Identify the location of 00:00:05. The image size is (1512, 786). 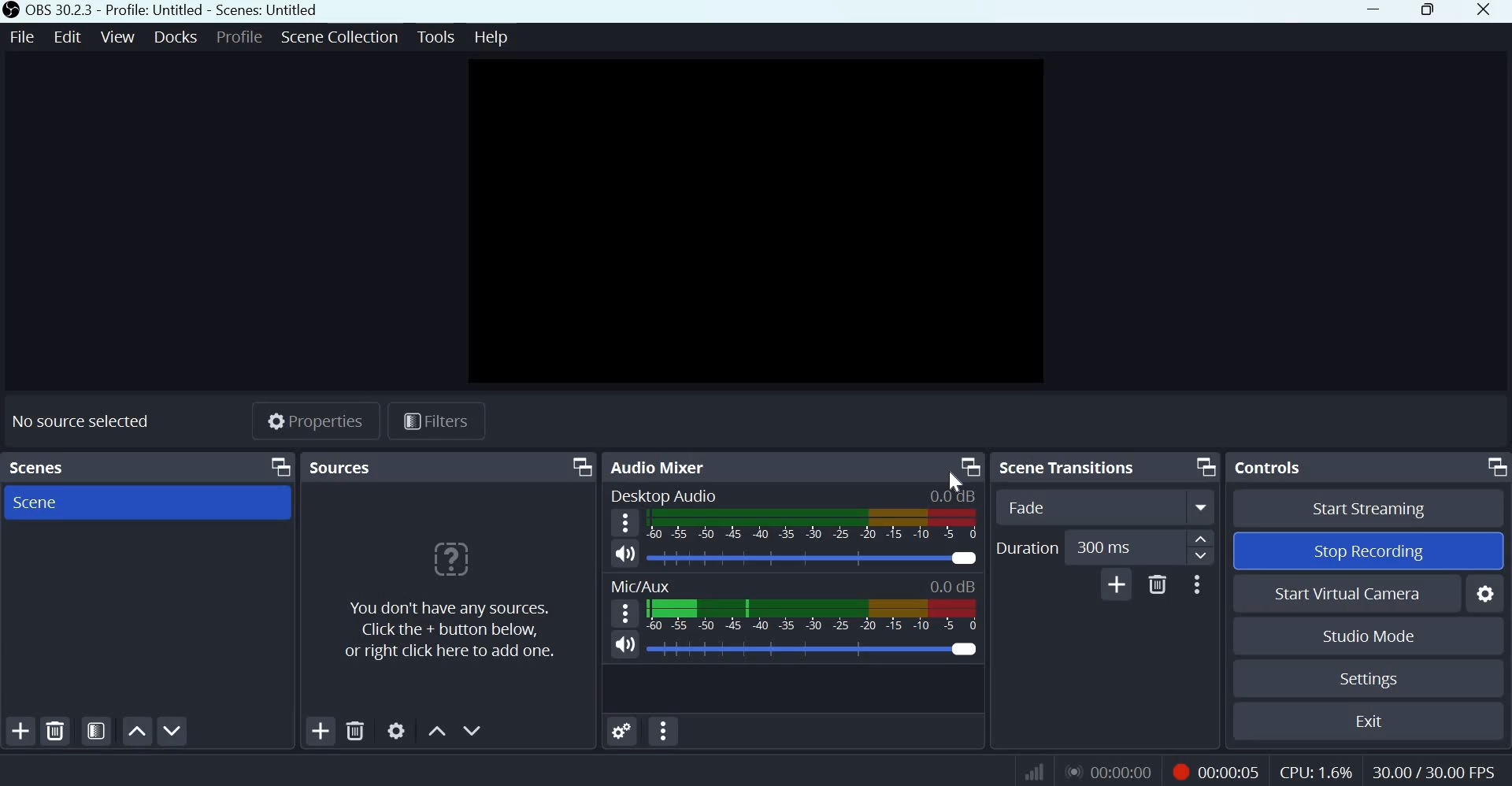
(1212, 769).